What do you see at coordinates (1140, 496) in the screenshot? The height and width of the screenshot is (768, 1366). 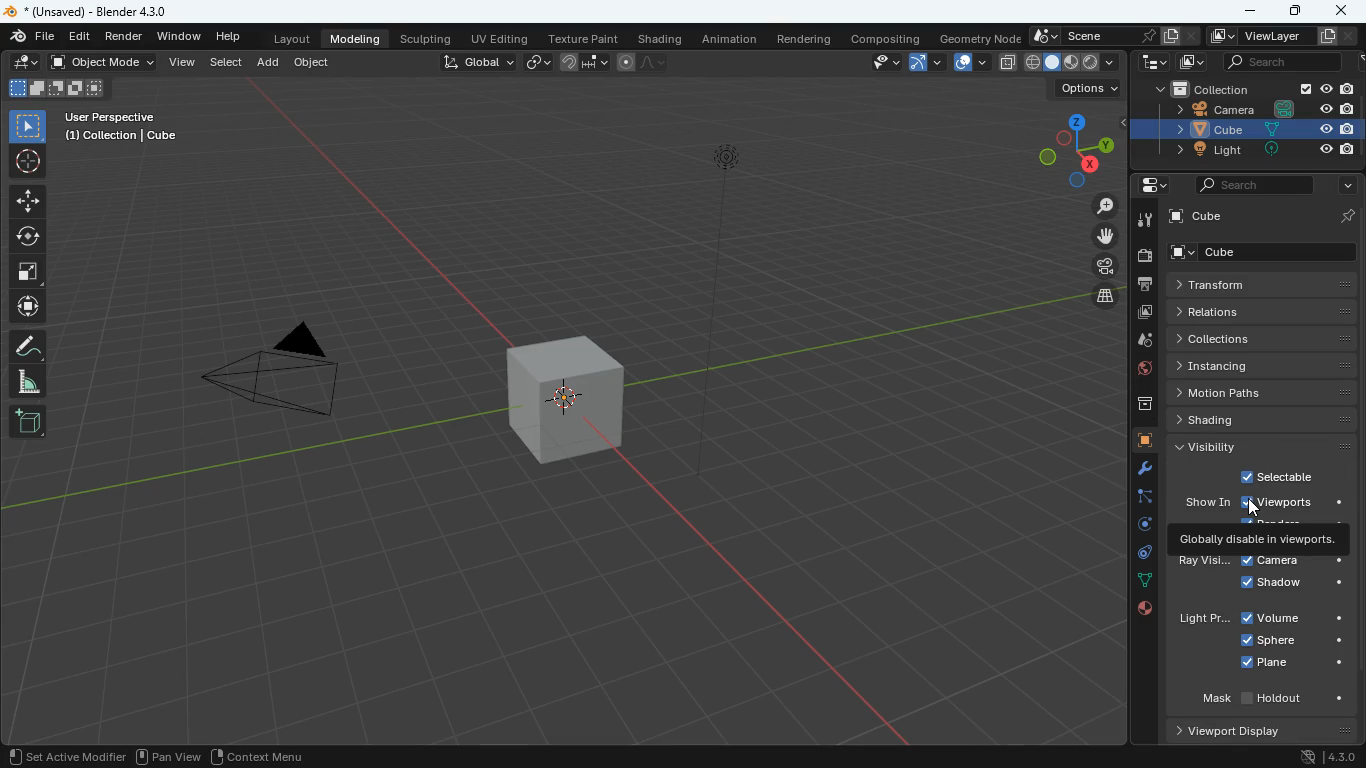 I see `edge` at bounding box center [1140, 496].